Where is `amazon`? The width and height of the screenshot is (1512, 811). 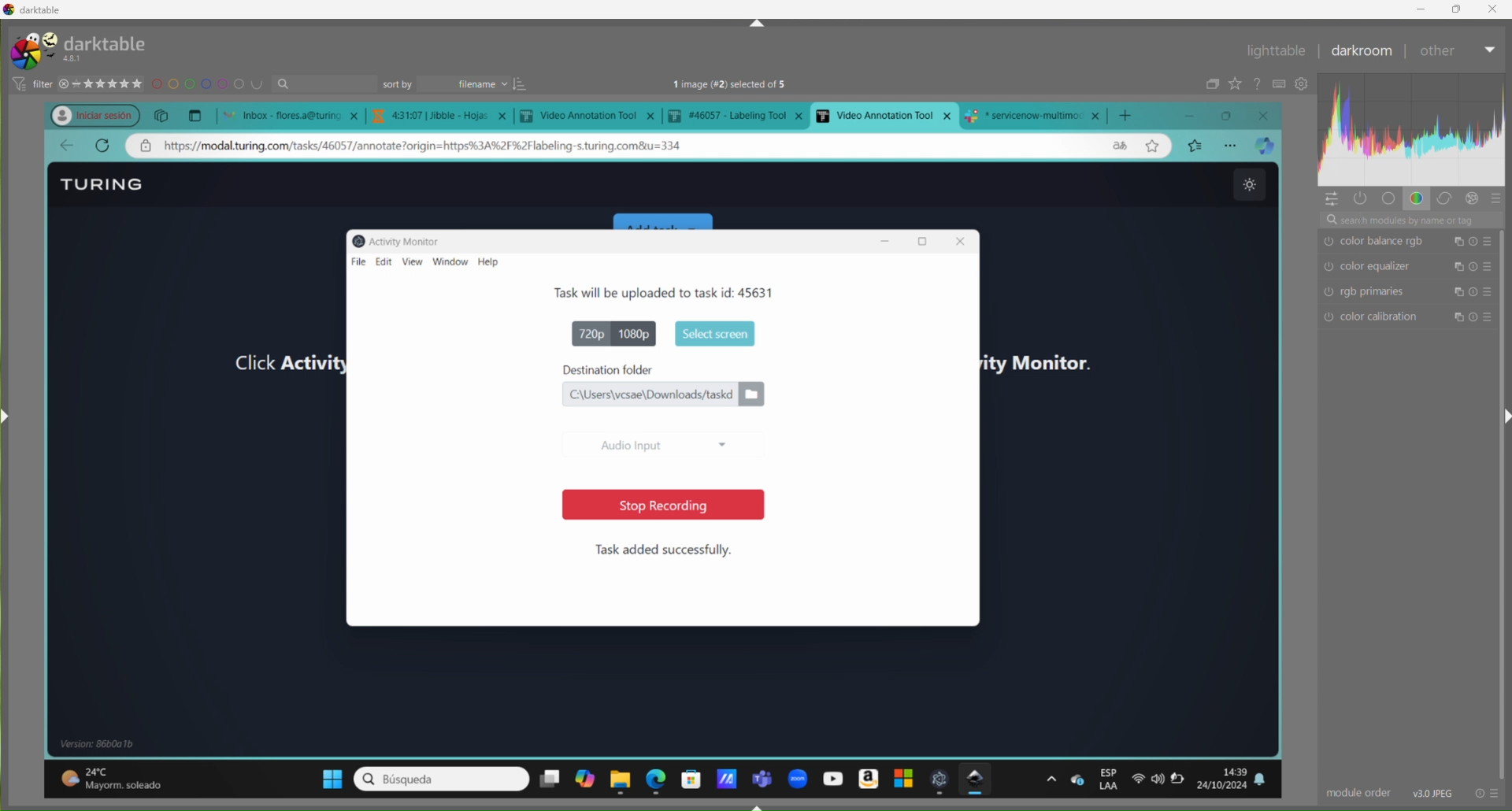 amazon is located at coordinates (866, 777).